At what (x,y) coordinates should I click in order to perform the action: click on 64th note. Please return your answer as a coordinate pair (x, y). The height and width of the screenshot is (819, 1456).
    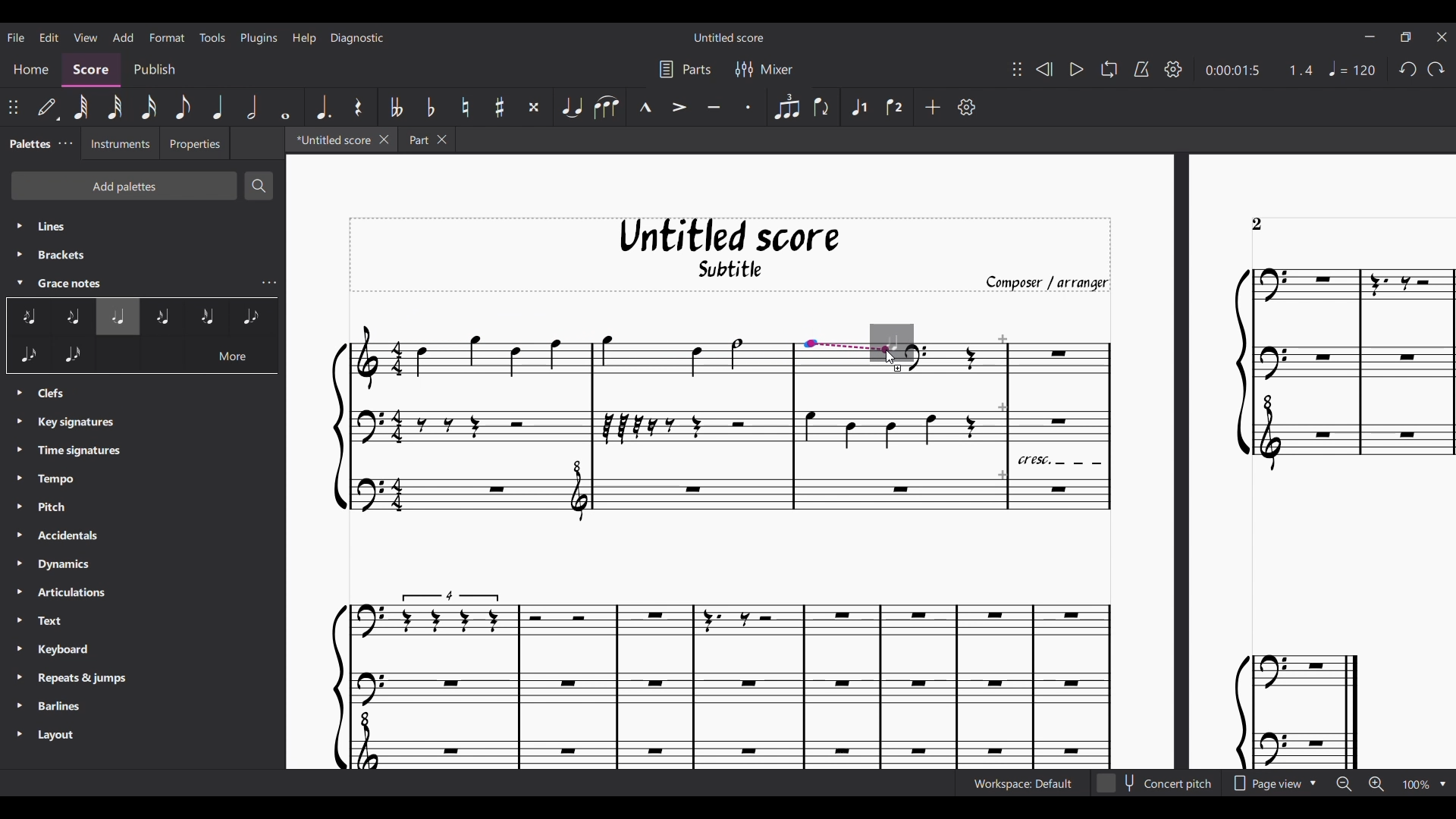
    Looking at the image, I should click on (80, 108).